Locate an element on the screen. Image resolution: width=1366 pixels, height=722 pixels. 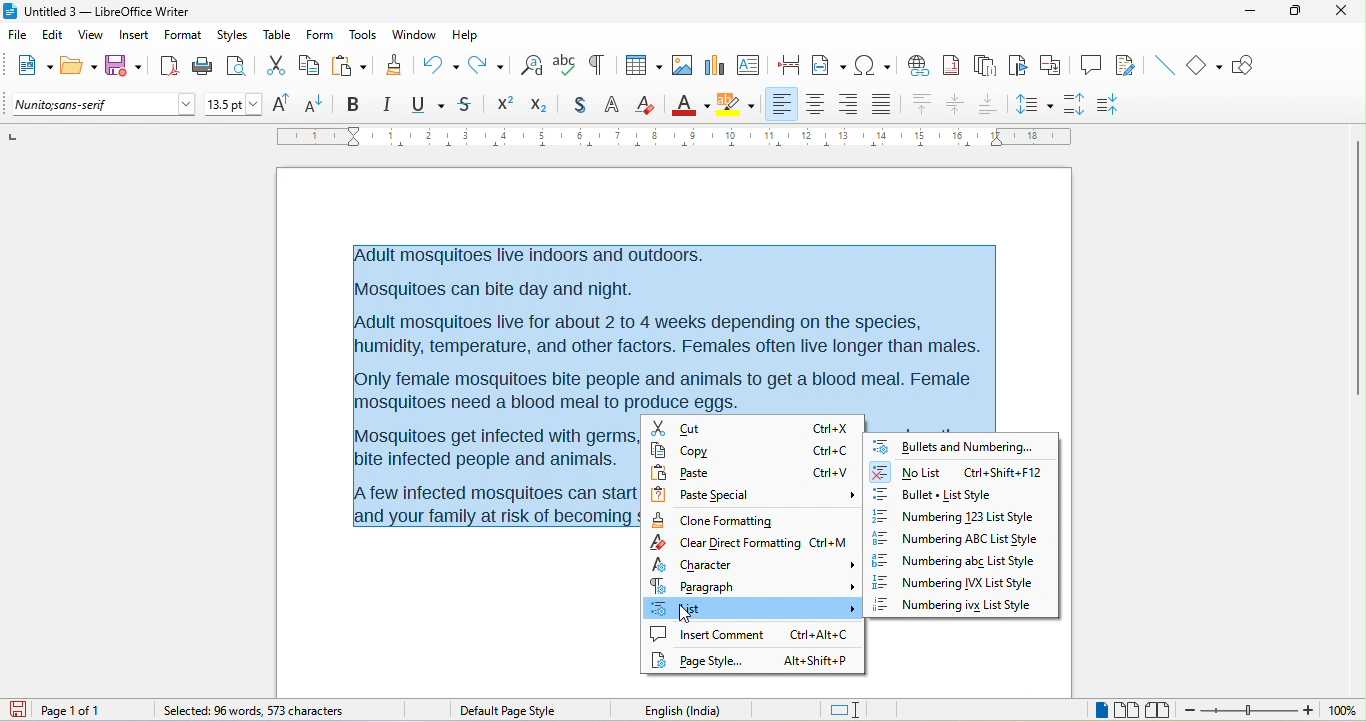
font size is located at coordinates (234, 104).